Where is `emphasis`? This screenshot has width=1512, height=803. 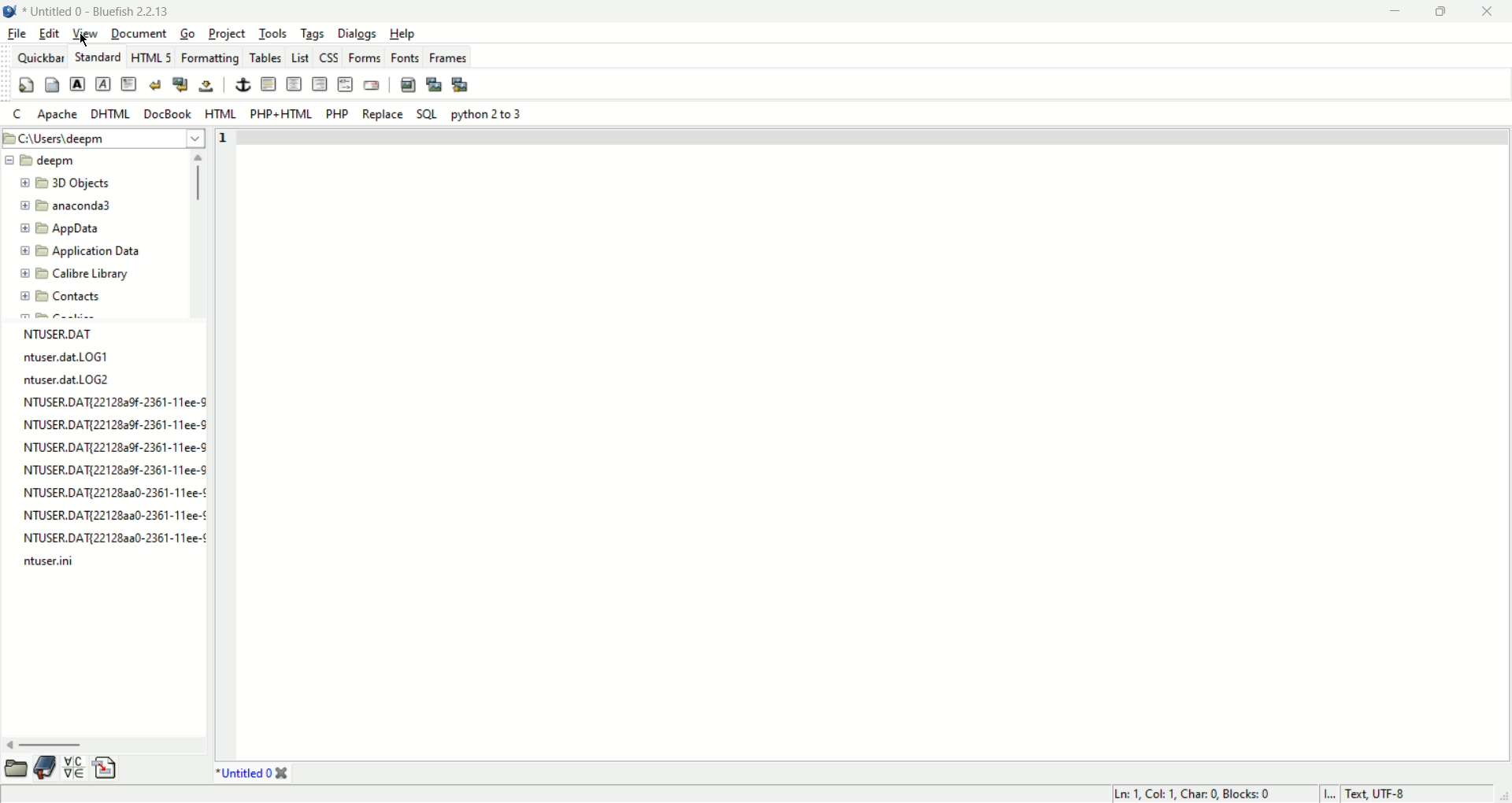 emphasis is located at coordinates (104, 84).